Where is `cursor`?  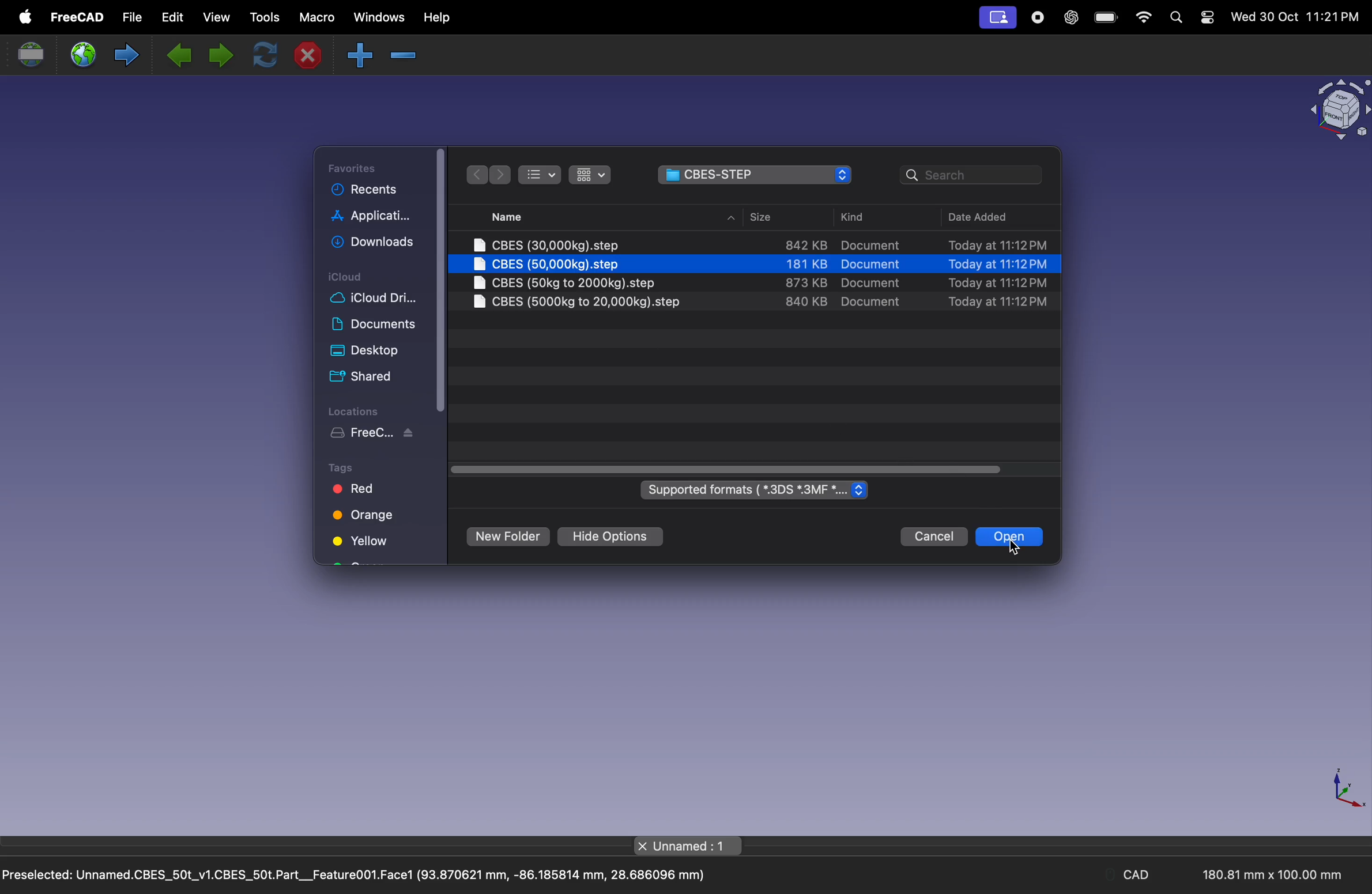 cursor is located at coordinates (1013, 549).